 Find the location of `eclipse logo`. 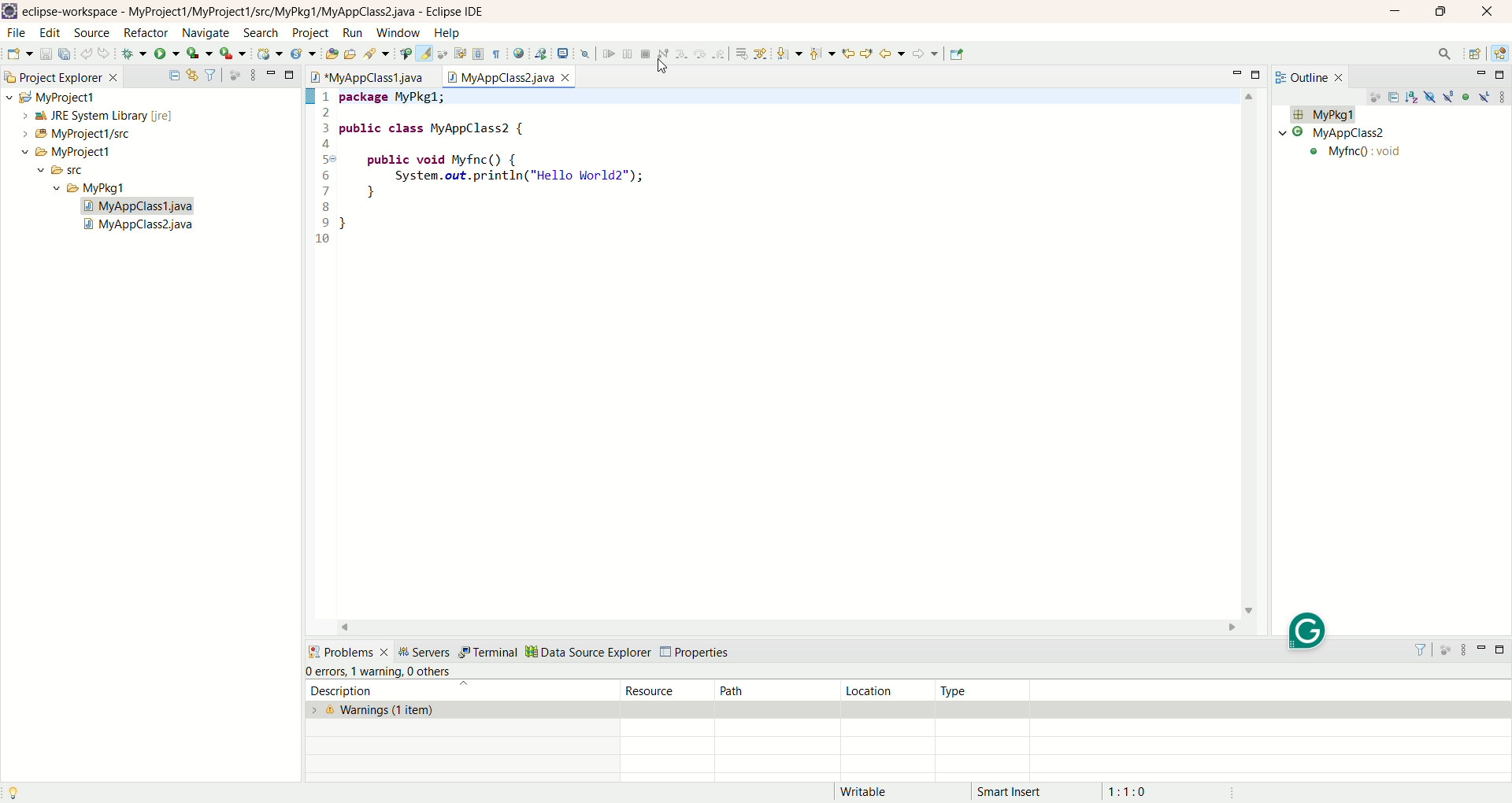

eclipse logo is located at coordinates (9, 11).